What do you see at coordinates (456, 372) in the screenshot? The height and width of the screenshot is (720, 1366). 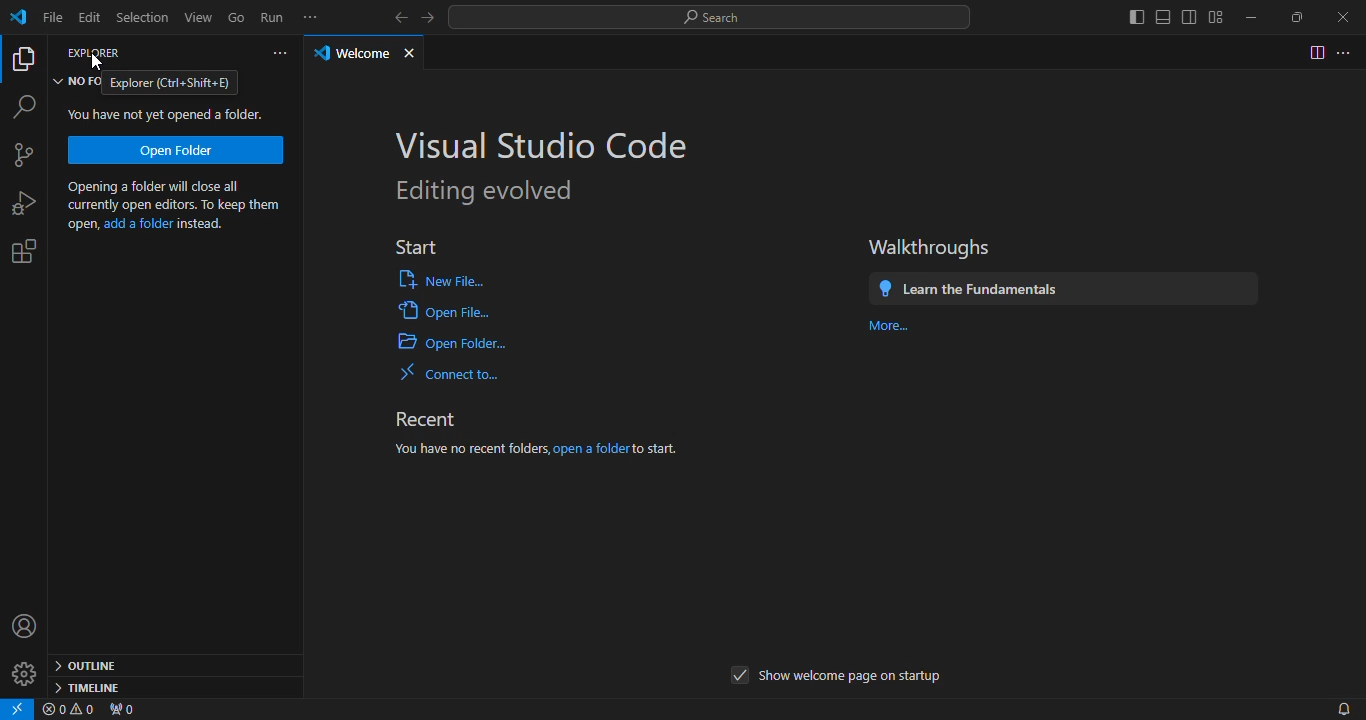 I see `Connect to` at bounding box center [456, 372].